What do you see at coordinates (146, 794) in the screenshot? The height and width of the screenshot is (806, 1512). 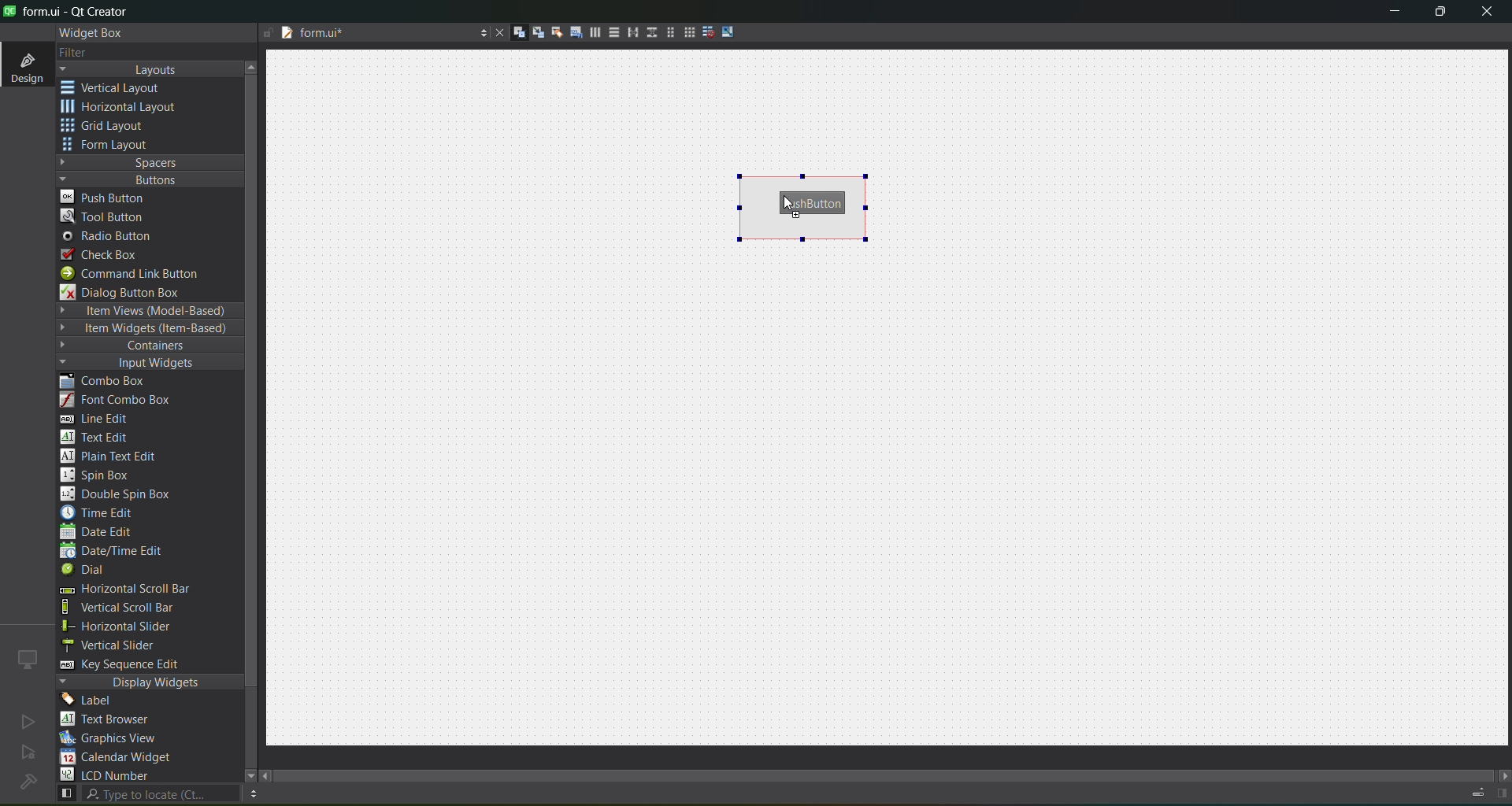 I see `search` at bounding box center [146, 794].